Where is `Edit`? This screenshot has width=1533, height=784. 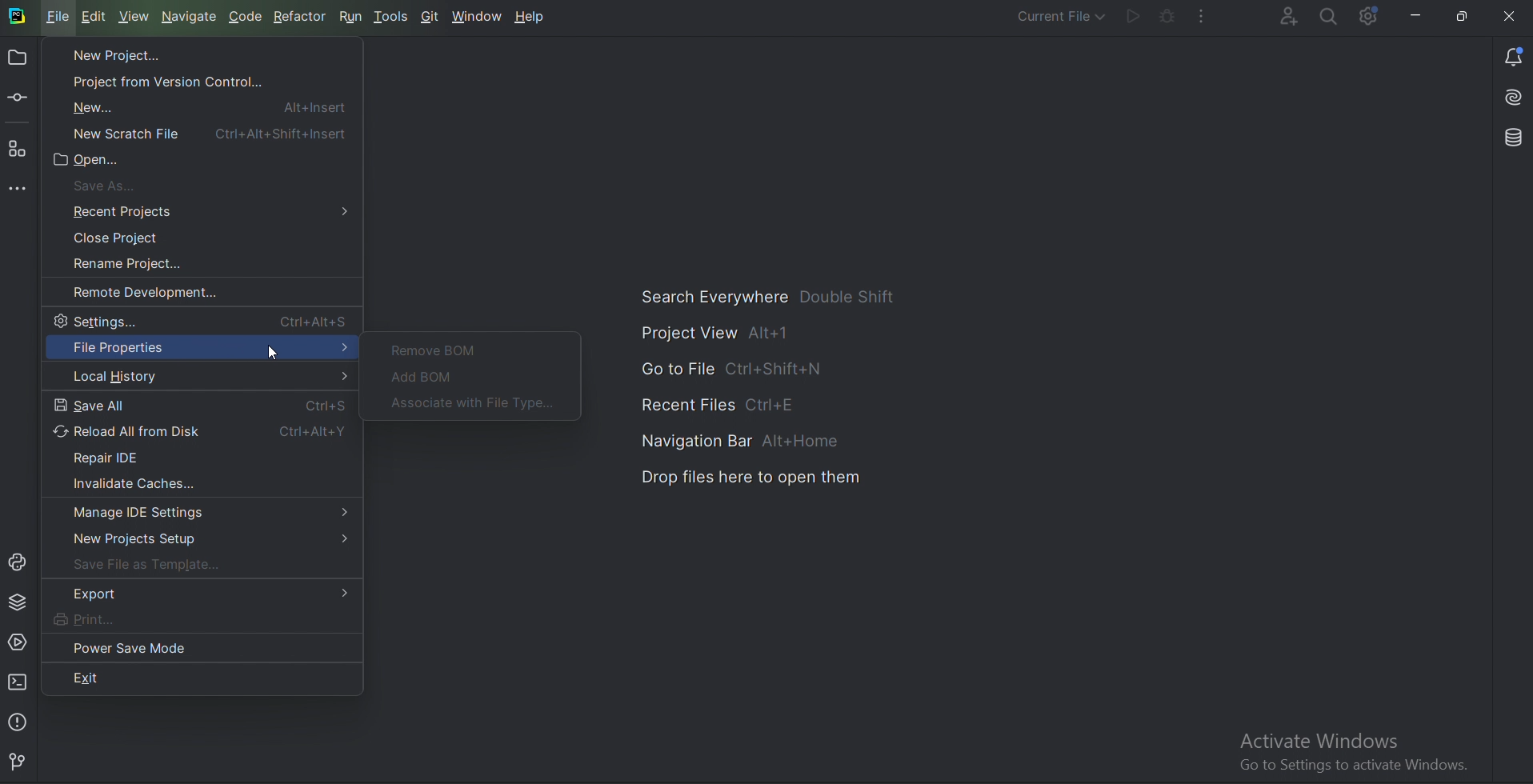 Edit is located at coordinates (98, 18).